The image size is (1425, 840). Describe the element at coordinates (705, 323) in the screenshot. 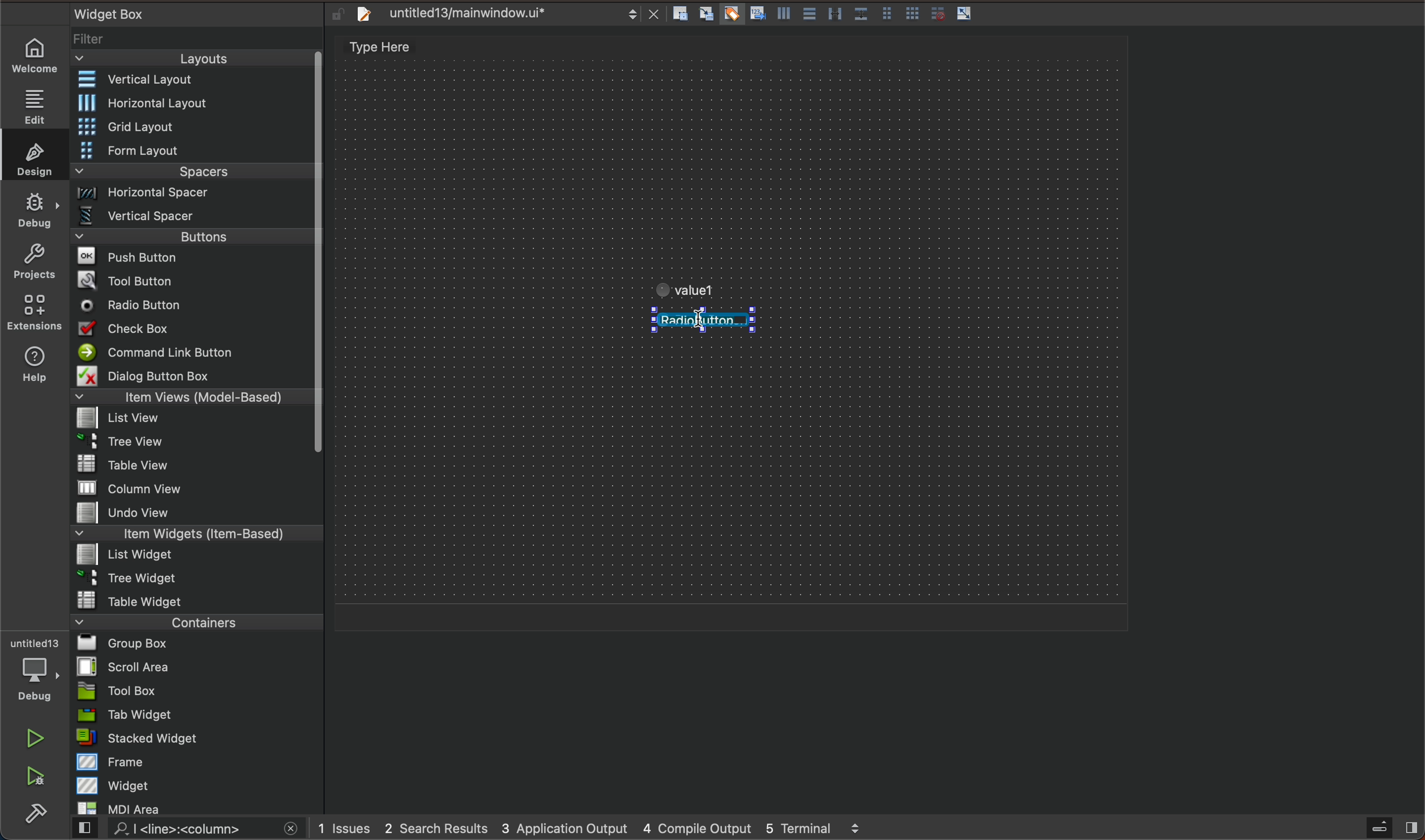

I see `click` at that location.